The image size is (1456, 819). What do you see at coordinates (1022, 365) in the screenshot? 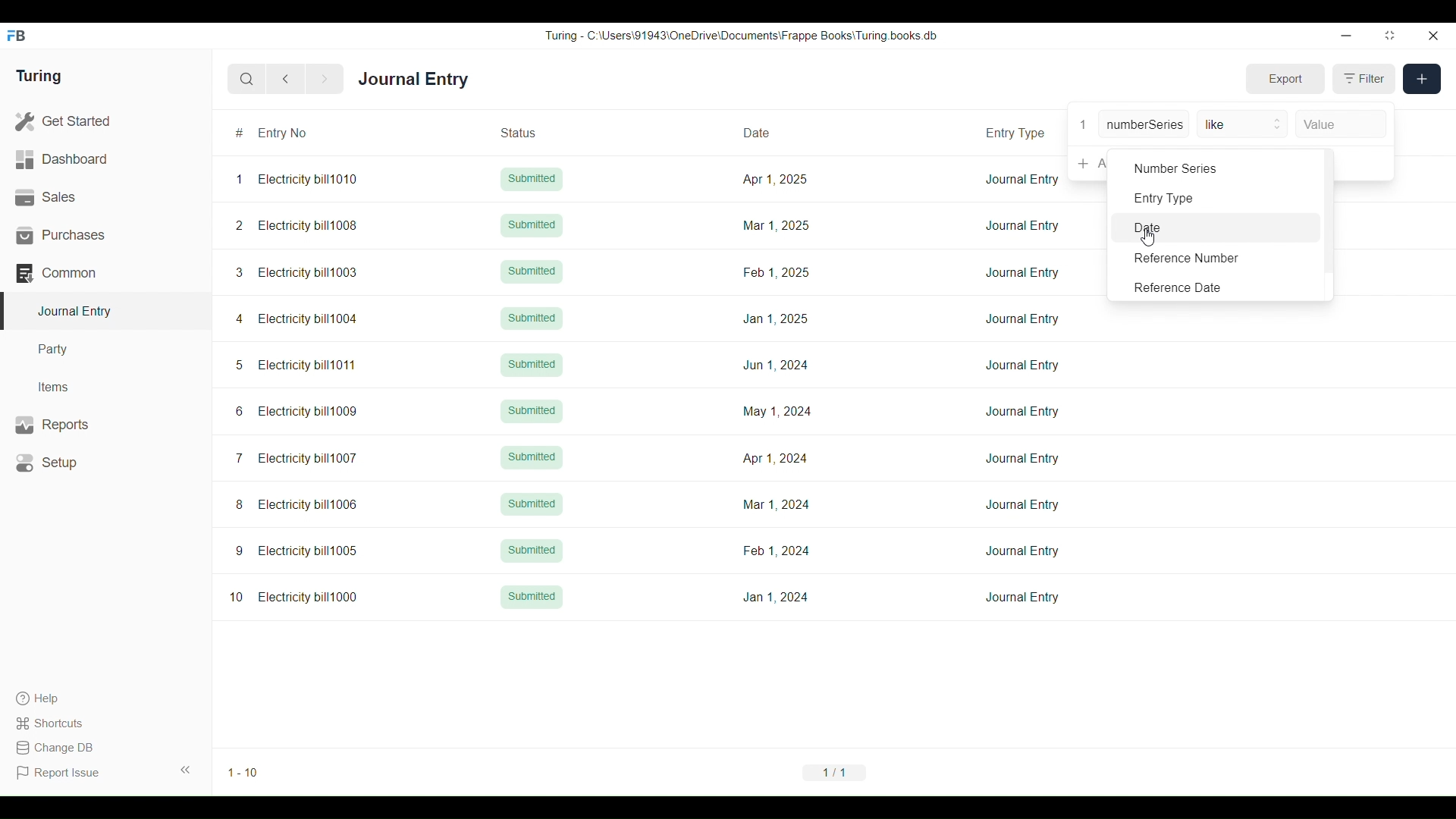
I see `Journal Entry` at bounding box center [1022, 365].